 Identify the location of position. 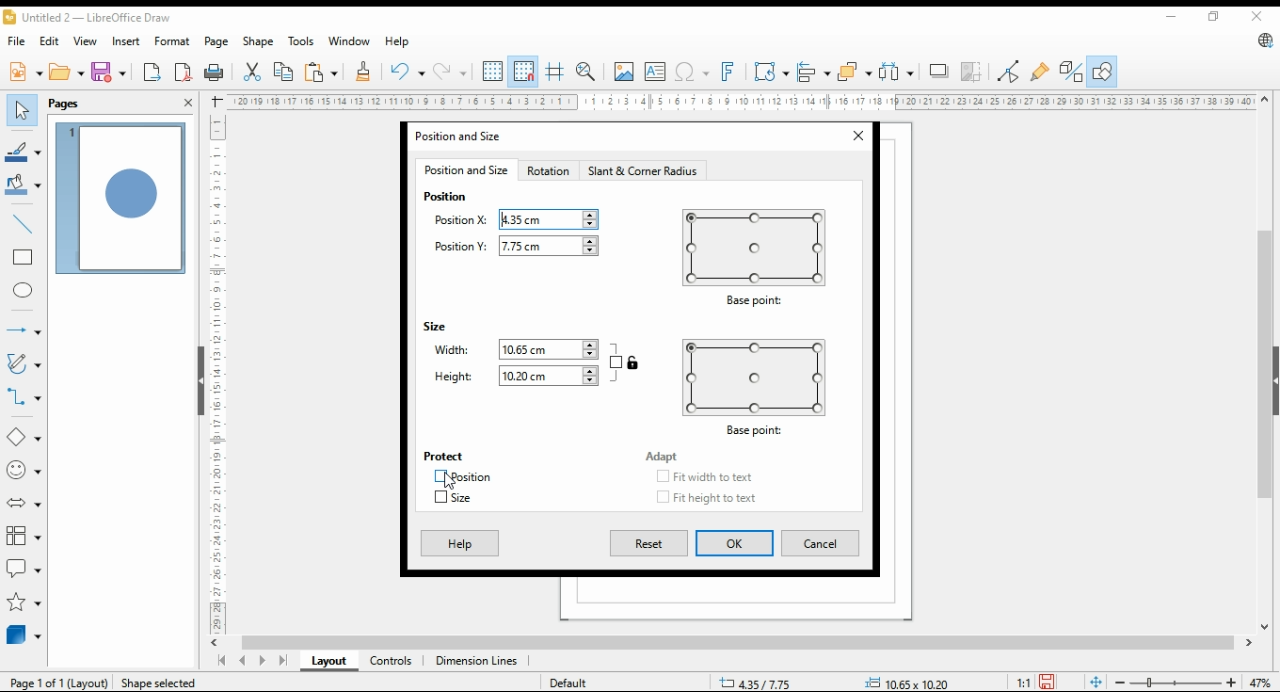
(448, 198).